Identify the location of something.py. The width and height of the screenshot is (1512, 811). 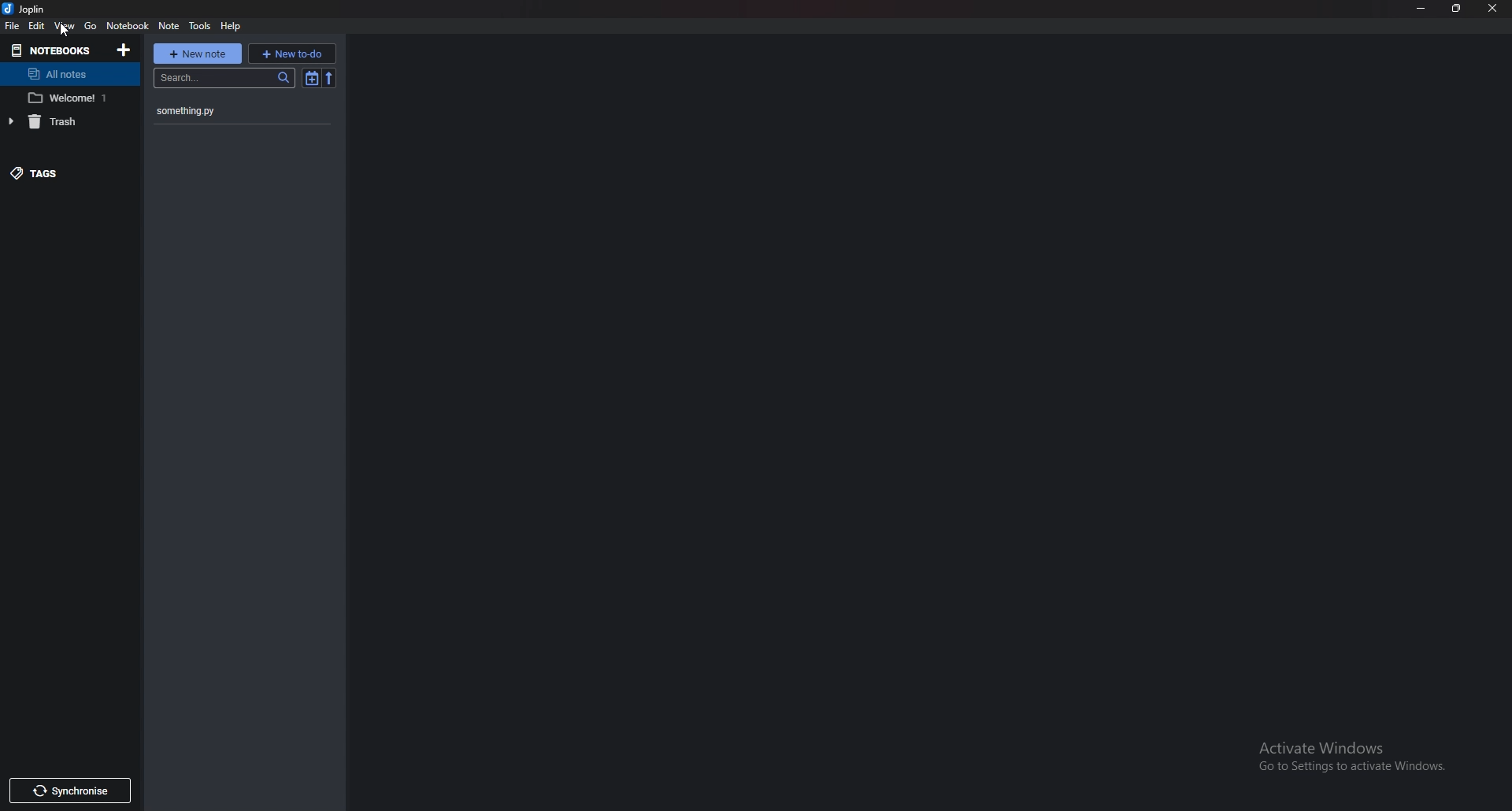
(223, 111).